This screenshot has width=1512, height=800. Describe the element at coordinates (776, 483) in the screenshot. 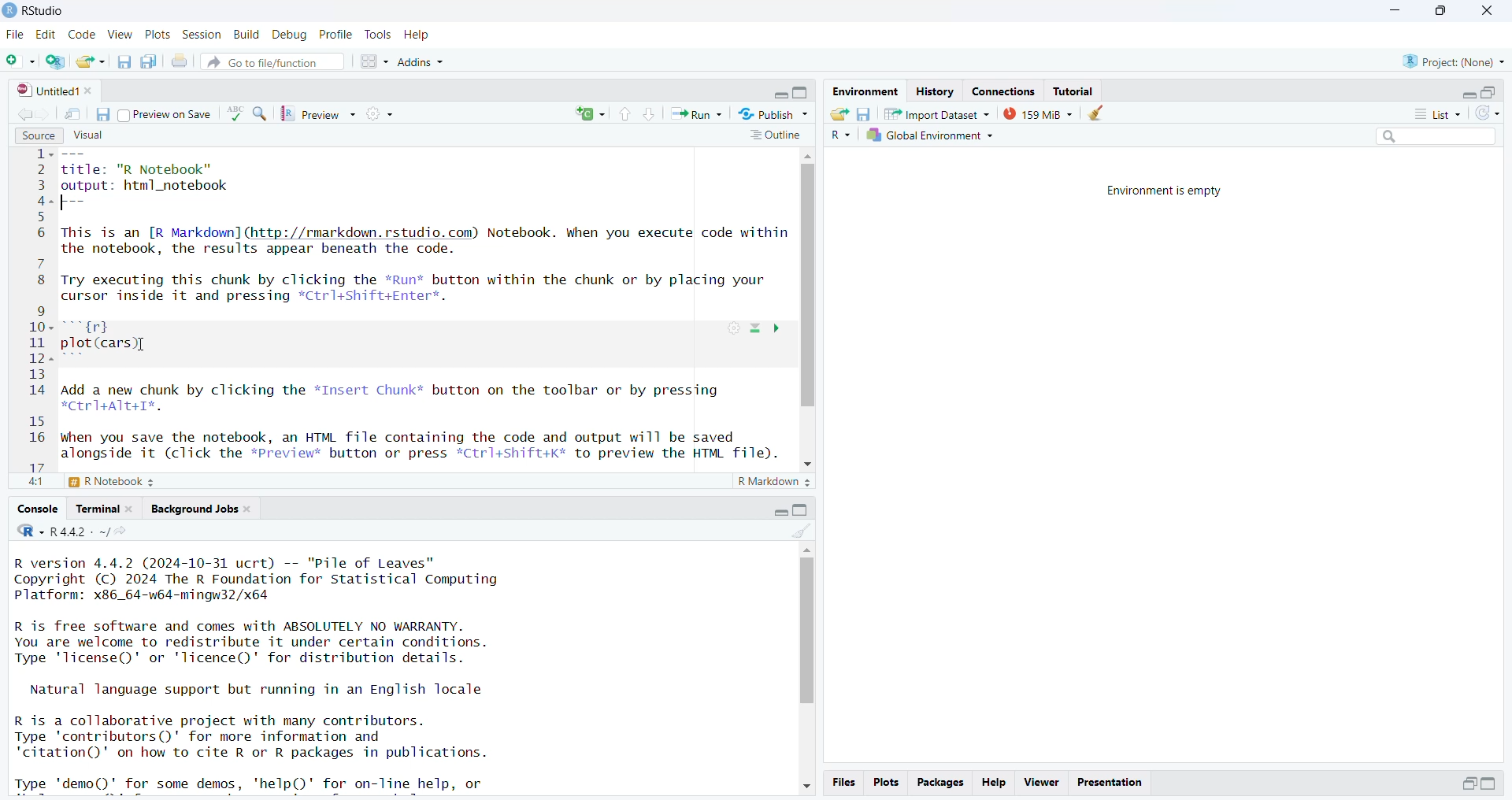

I see `R markdown` at that location.